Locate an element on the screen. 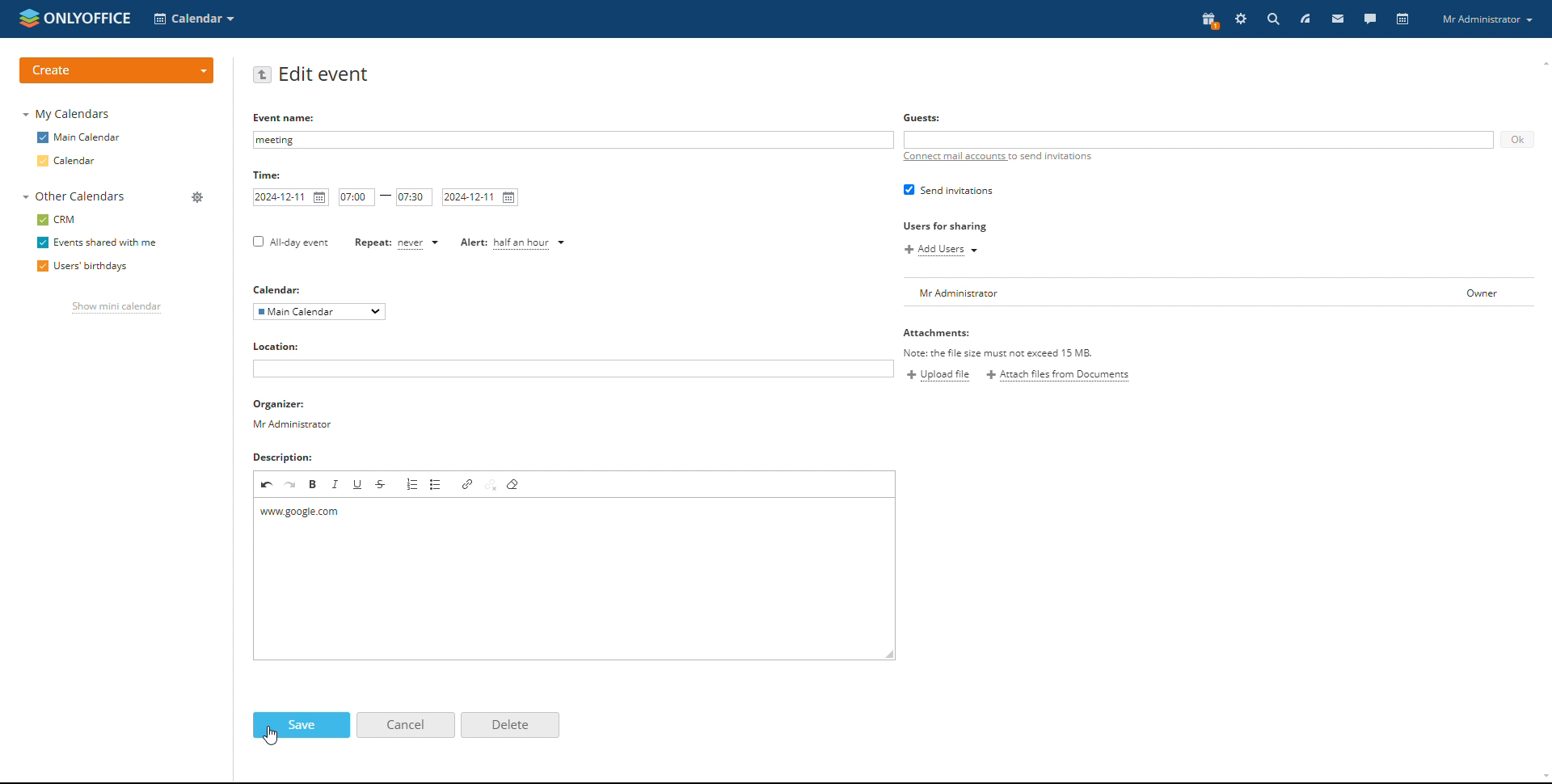 This screenshot has height=784, width=1552. Alert: is located at coordinates (473, 243).